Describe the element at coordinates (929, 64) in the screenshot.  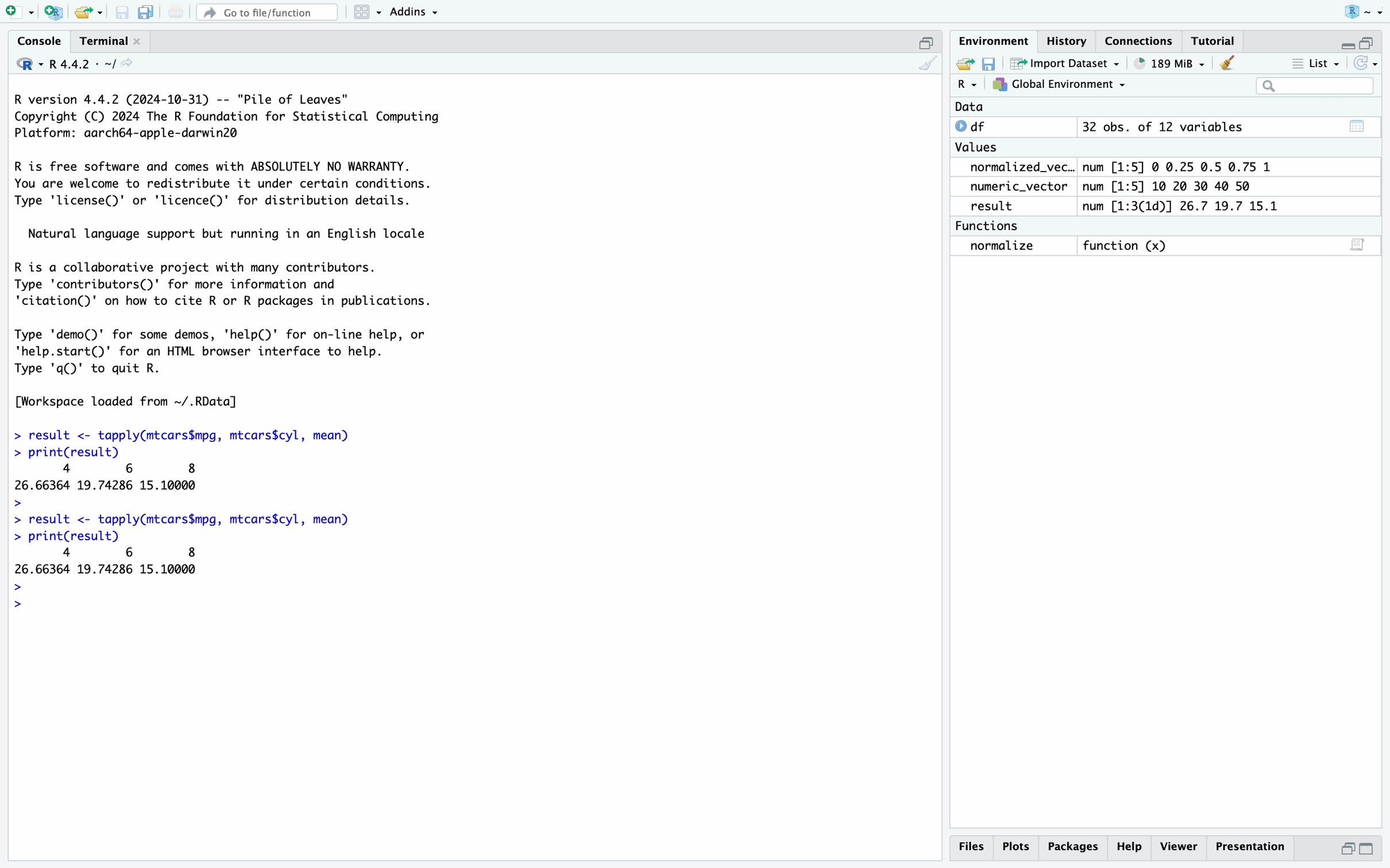
I see `Clear` at that location.